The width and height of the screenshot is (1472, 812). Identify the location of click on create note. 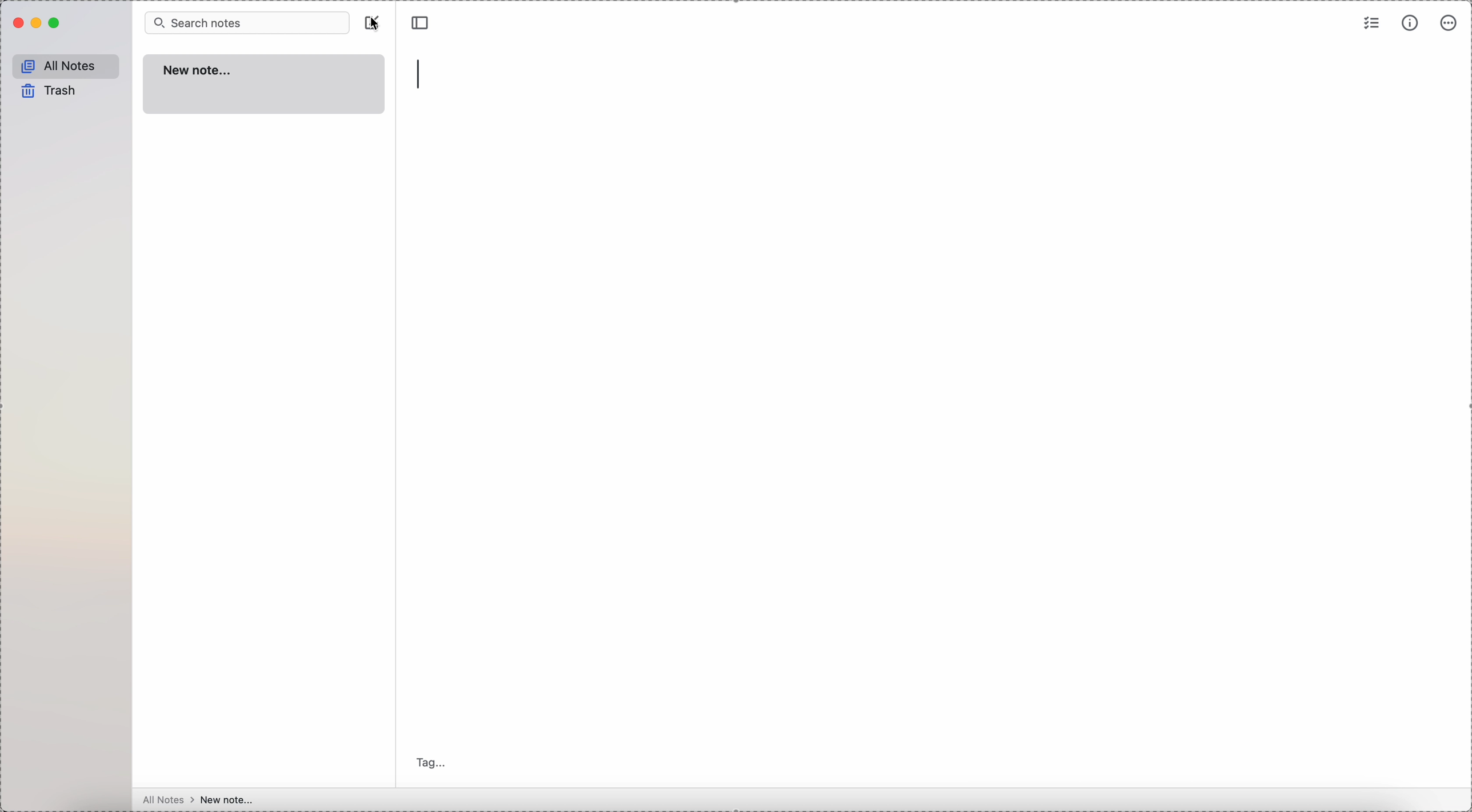
(374, 23).